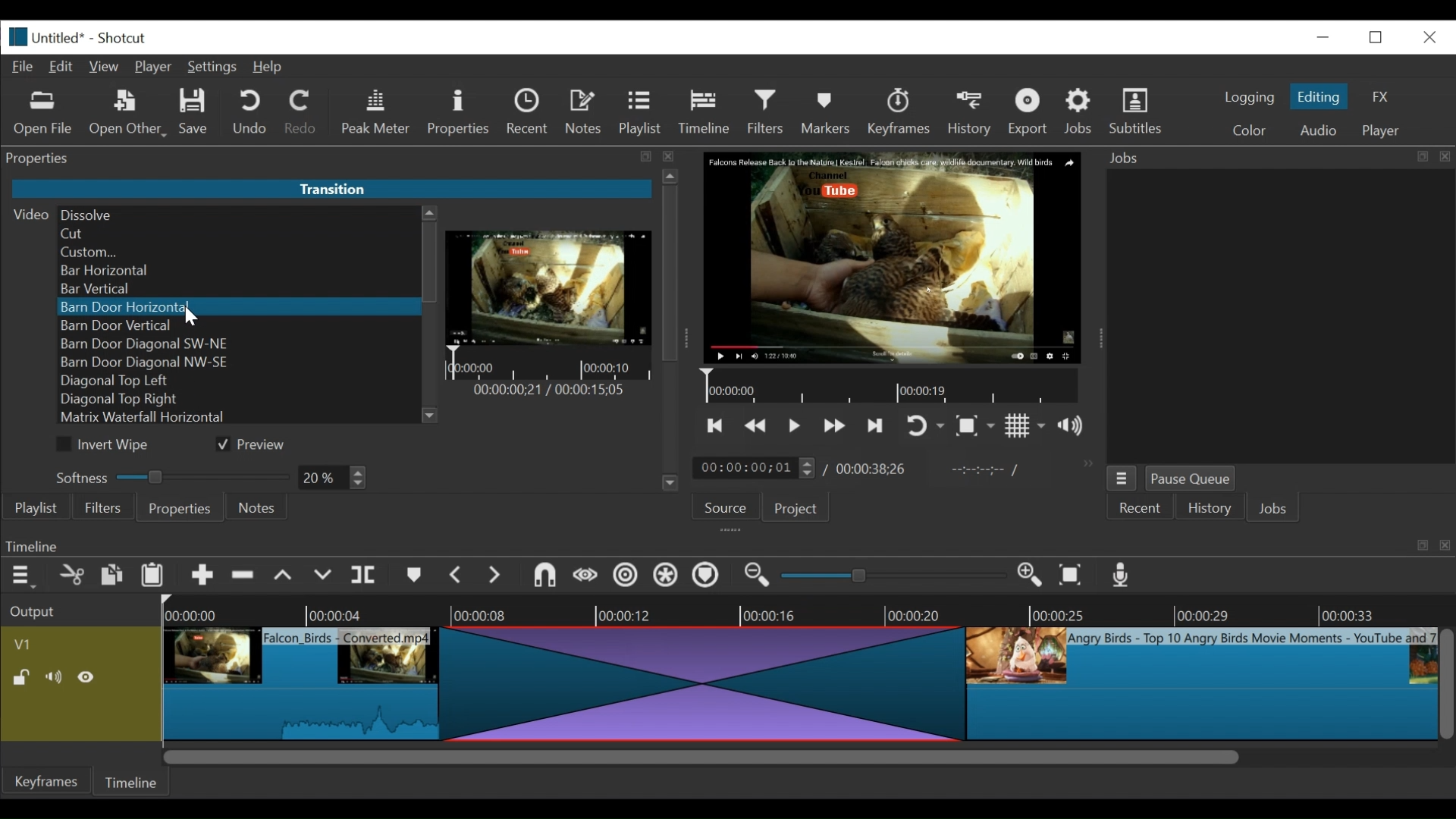 The image size is (1456, 819). I want to click on Dissolve, so click(237, 214).